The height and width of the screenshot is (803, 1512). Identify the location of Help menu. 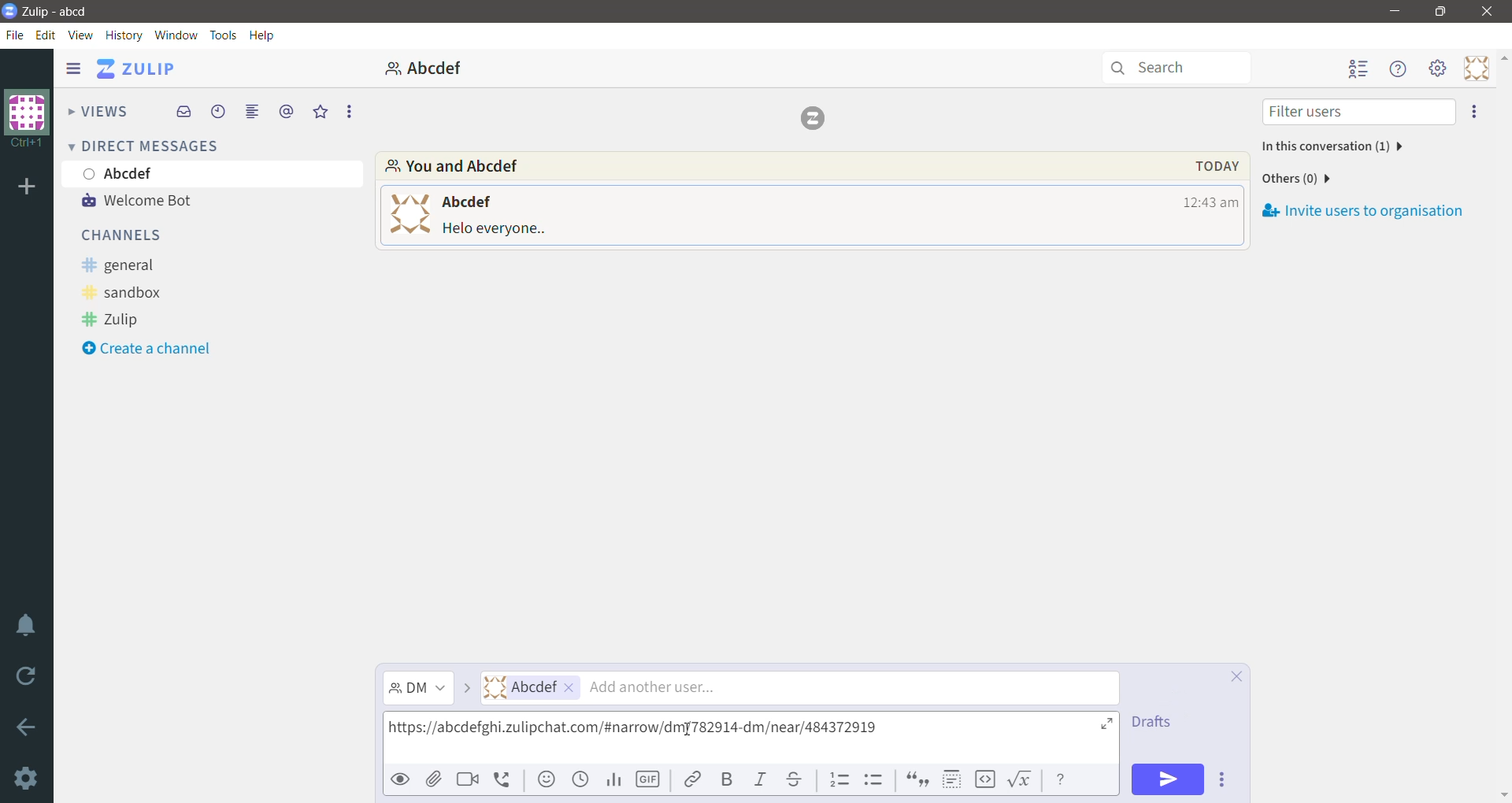
(1400, 68).